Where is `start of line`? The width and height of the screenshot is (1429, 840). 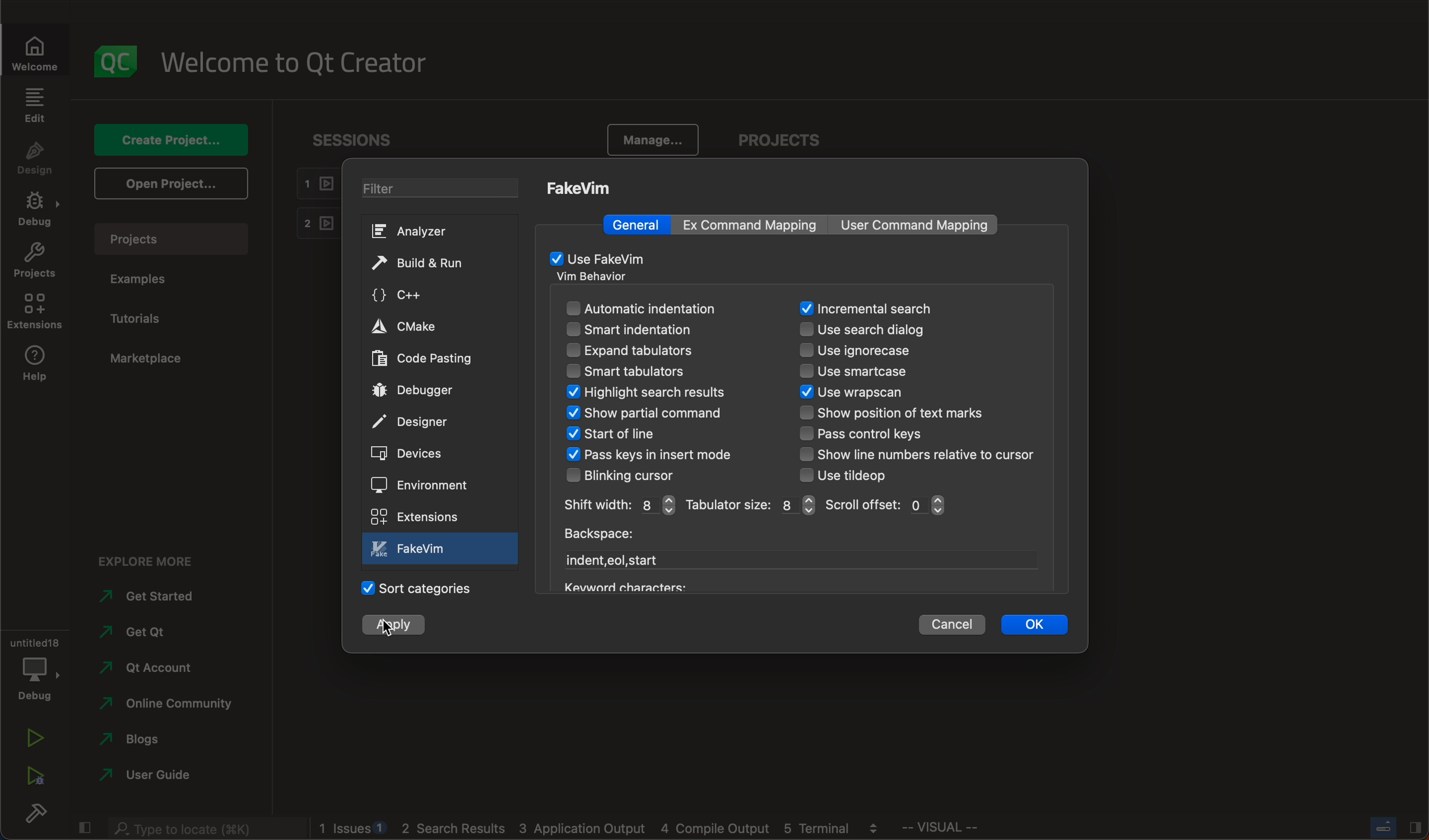 start of line is located at coordinates (618, 434).